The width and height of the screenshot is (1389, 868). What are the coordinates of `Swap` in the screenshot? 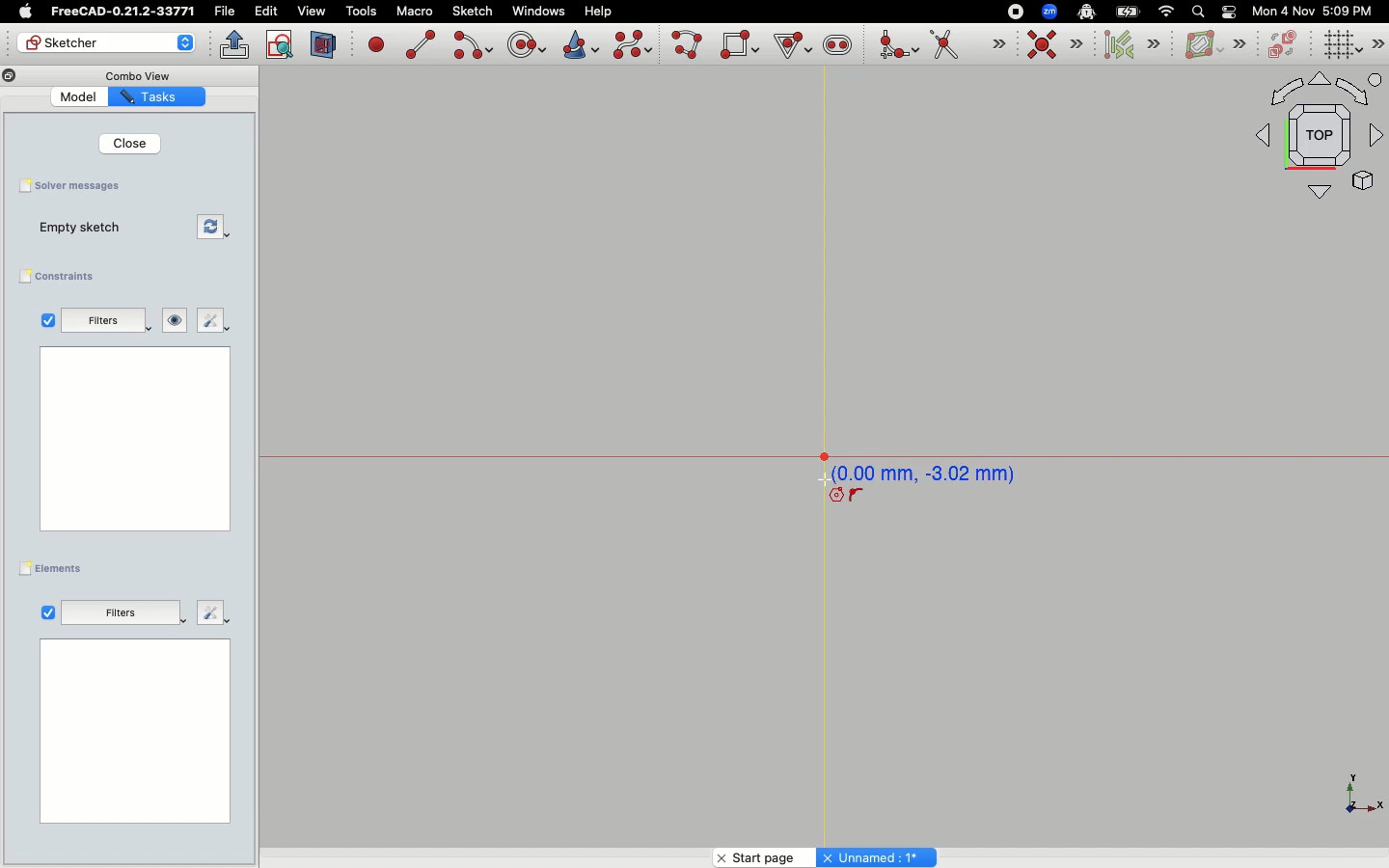 It's located at (211, 226).